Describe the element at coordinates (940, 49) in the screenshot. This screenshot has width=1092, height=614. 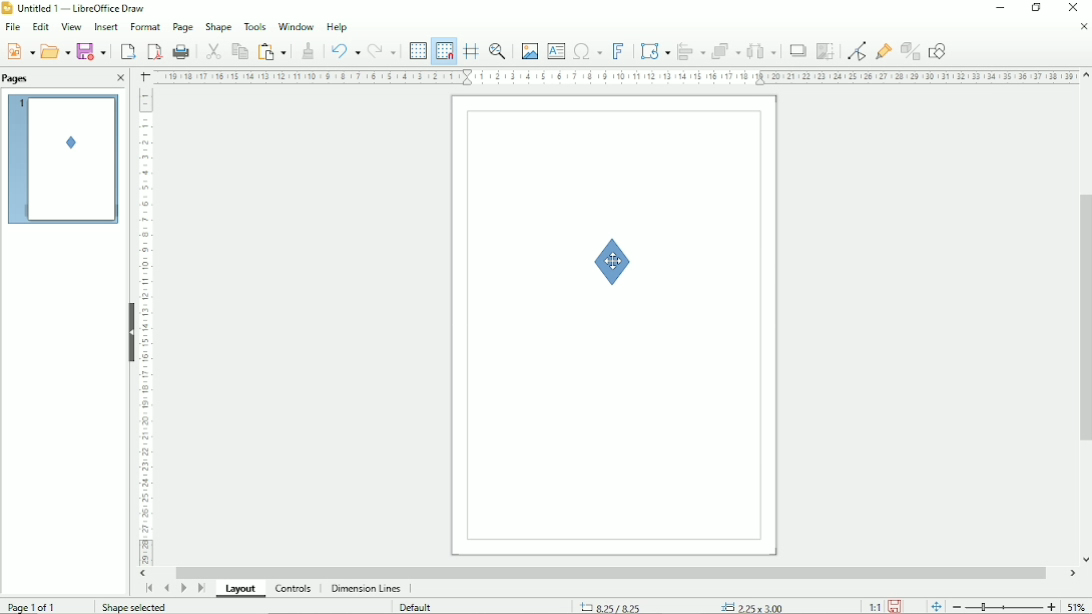
I see `Show draw functions` at that location.